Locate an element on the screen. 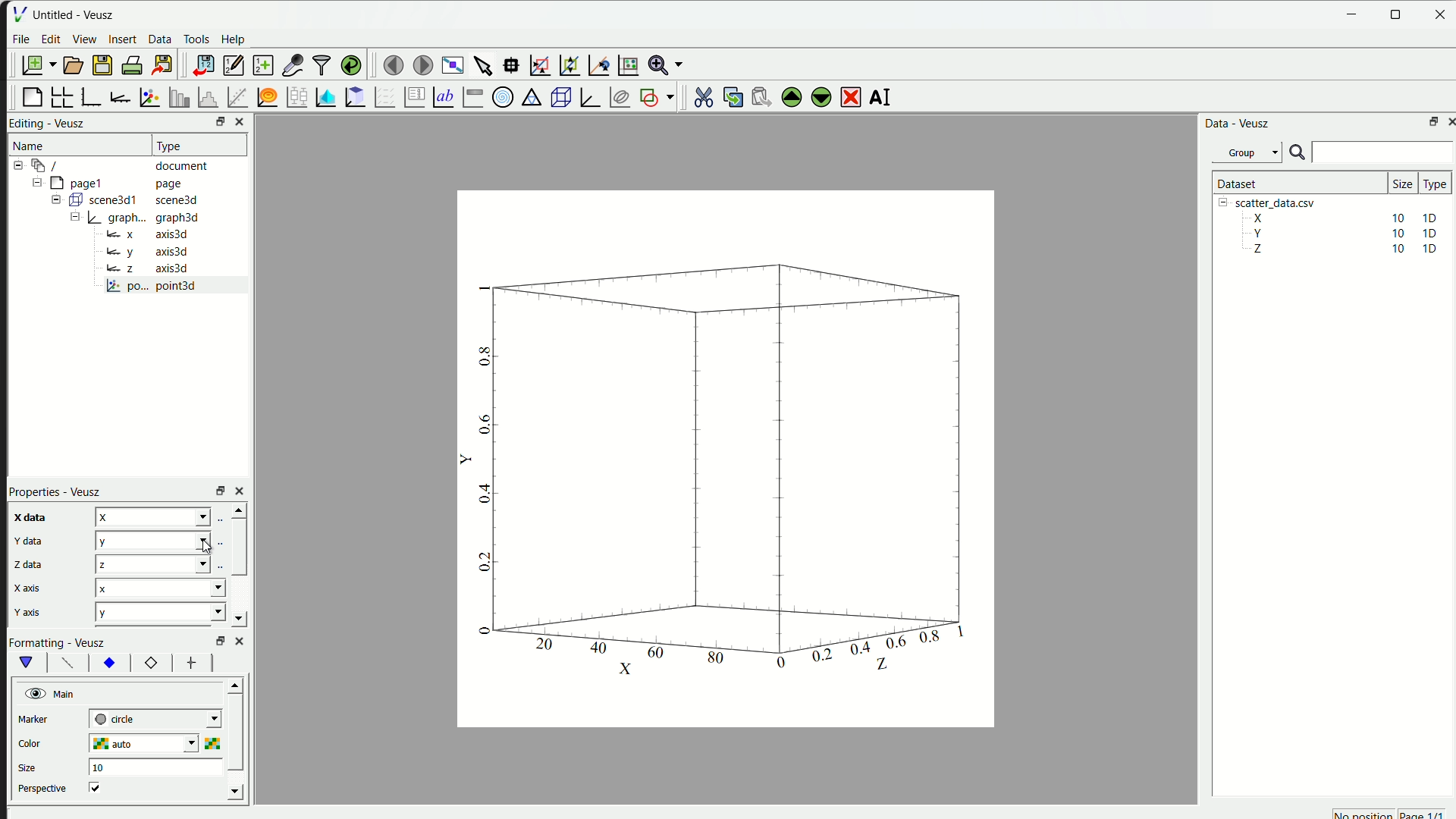 Image resolution: width=1456 pixels, height=819 pixels. rezise is located at coordinates (218, 490).